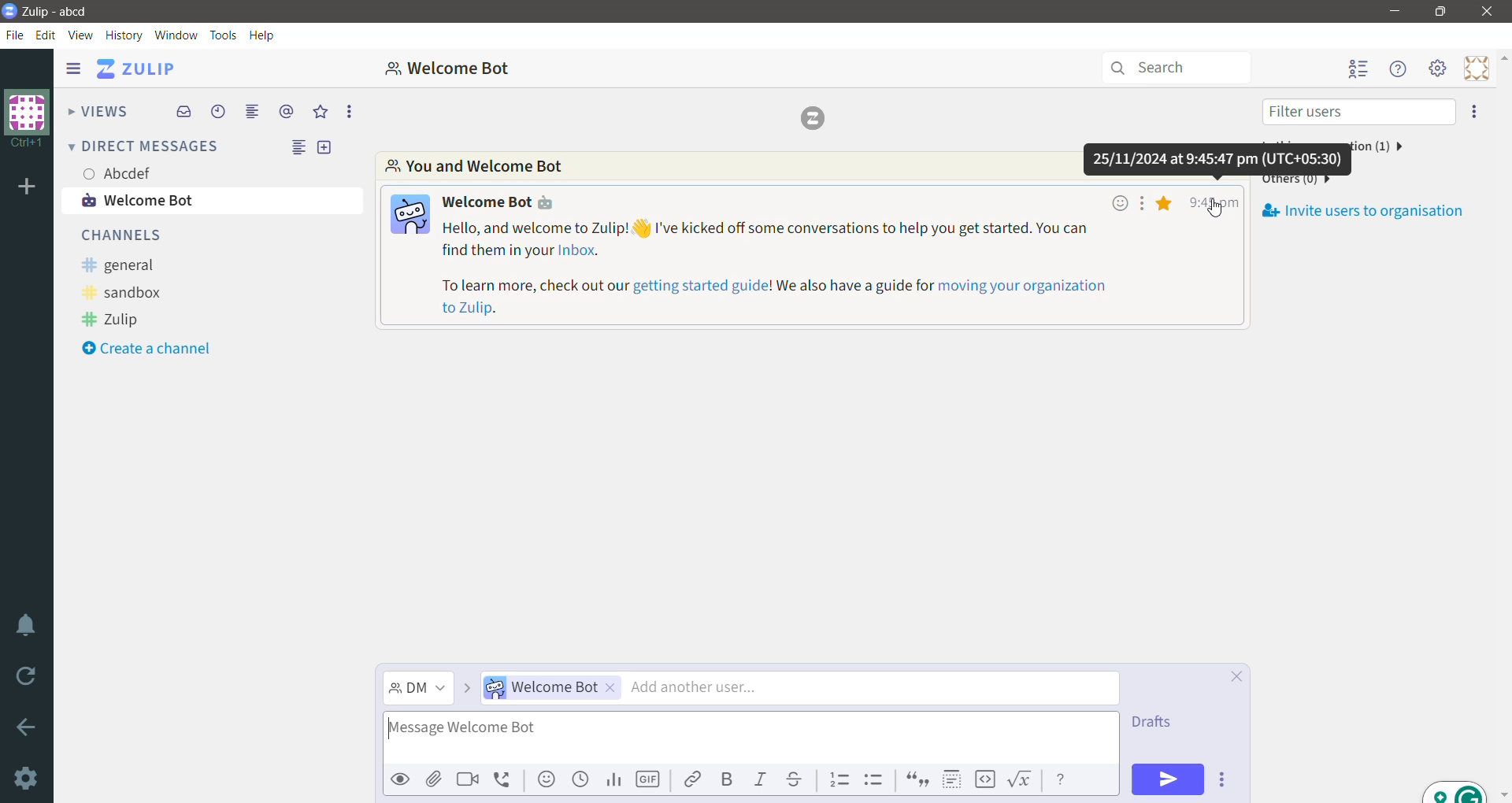 This screenshot has height=803, width=1512. Describe the element at coordinates (433, 779) in the screenshot. I see `Upload files` at that location.